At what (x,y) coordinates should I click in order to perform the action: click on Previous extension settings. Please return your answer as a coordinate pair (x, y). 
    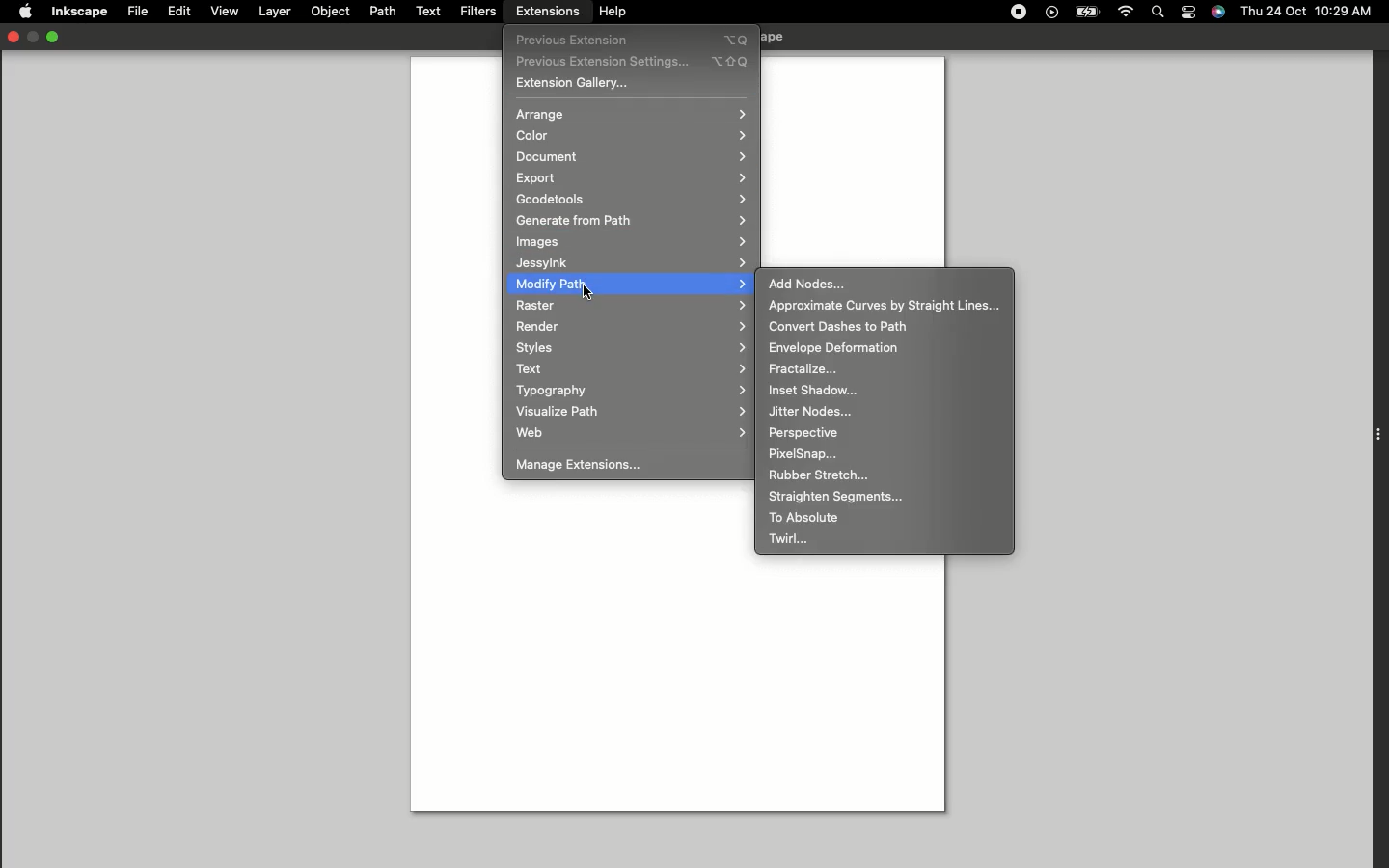
    Looking at the image, I should click on (633, 62).